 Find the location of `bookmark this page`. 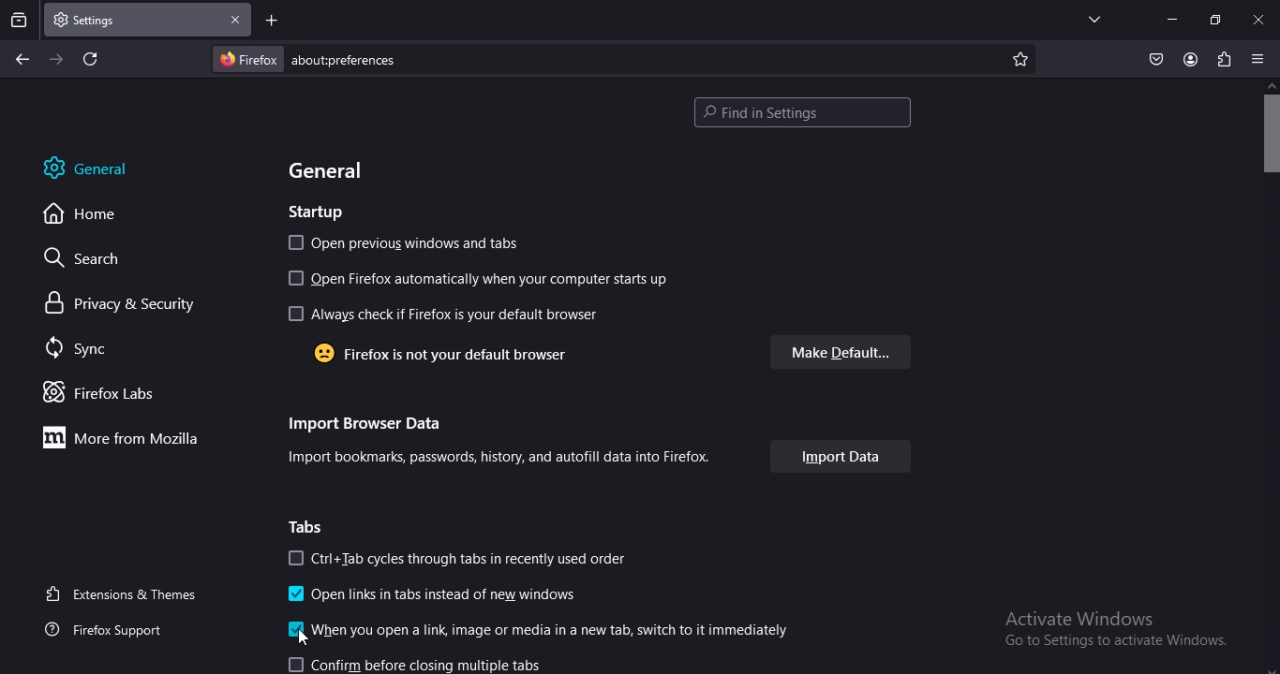

bookmark this page is located at coordinates (1020, 60).